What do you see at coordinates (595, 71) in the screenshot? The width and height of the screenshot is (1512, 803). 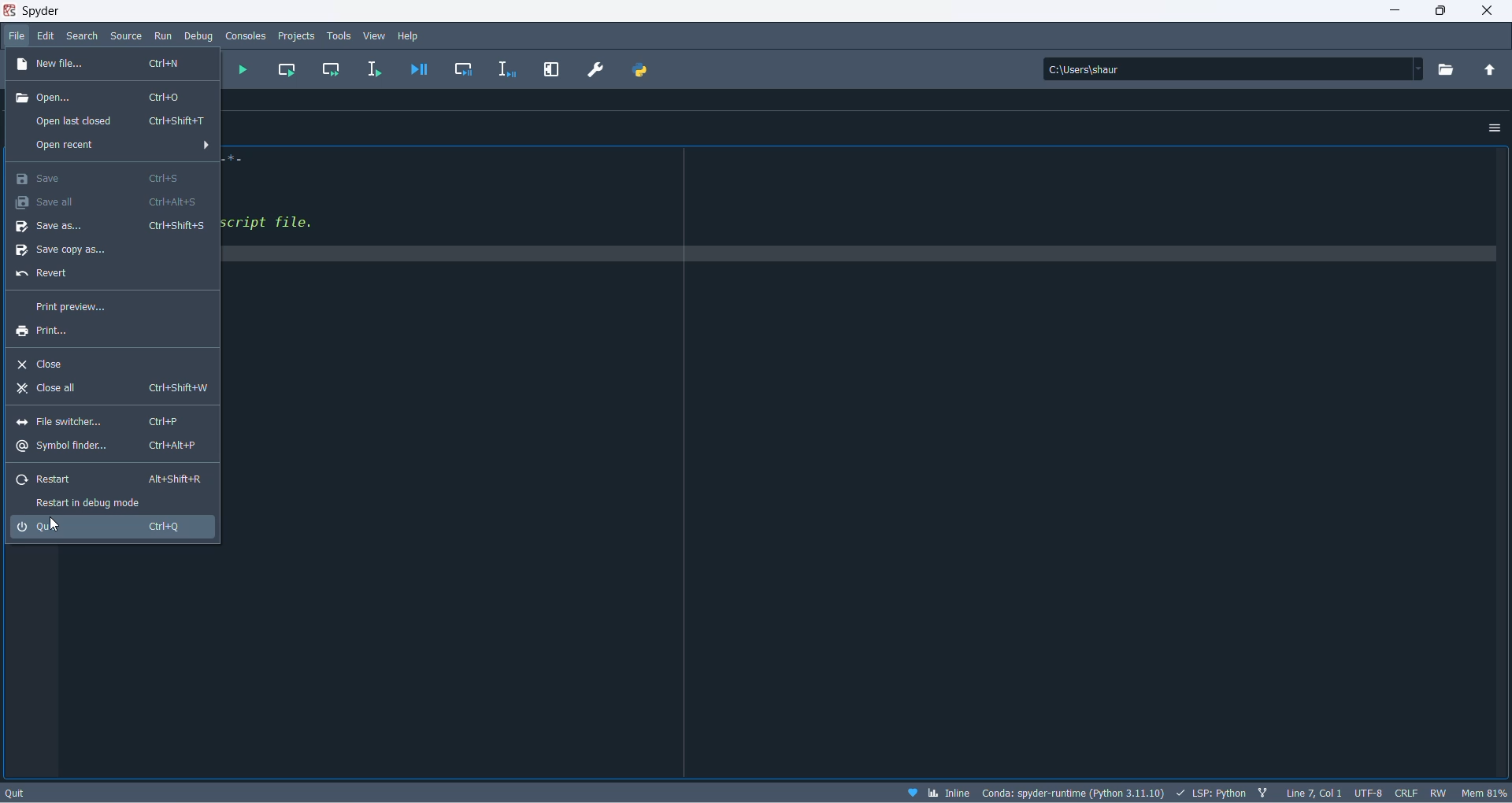 I see `preferences` at bounding box center [595, 71].